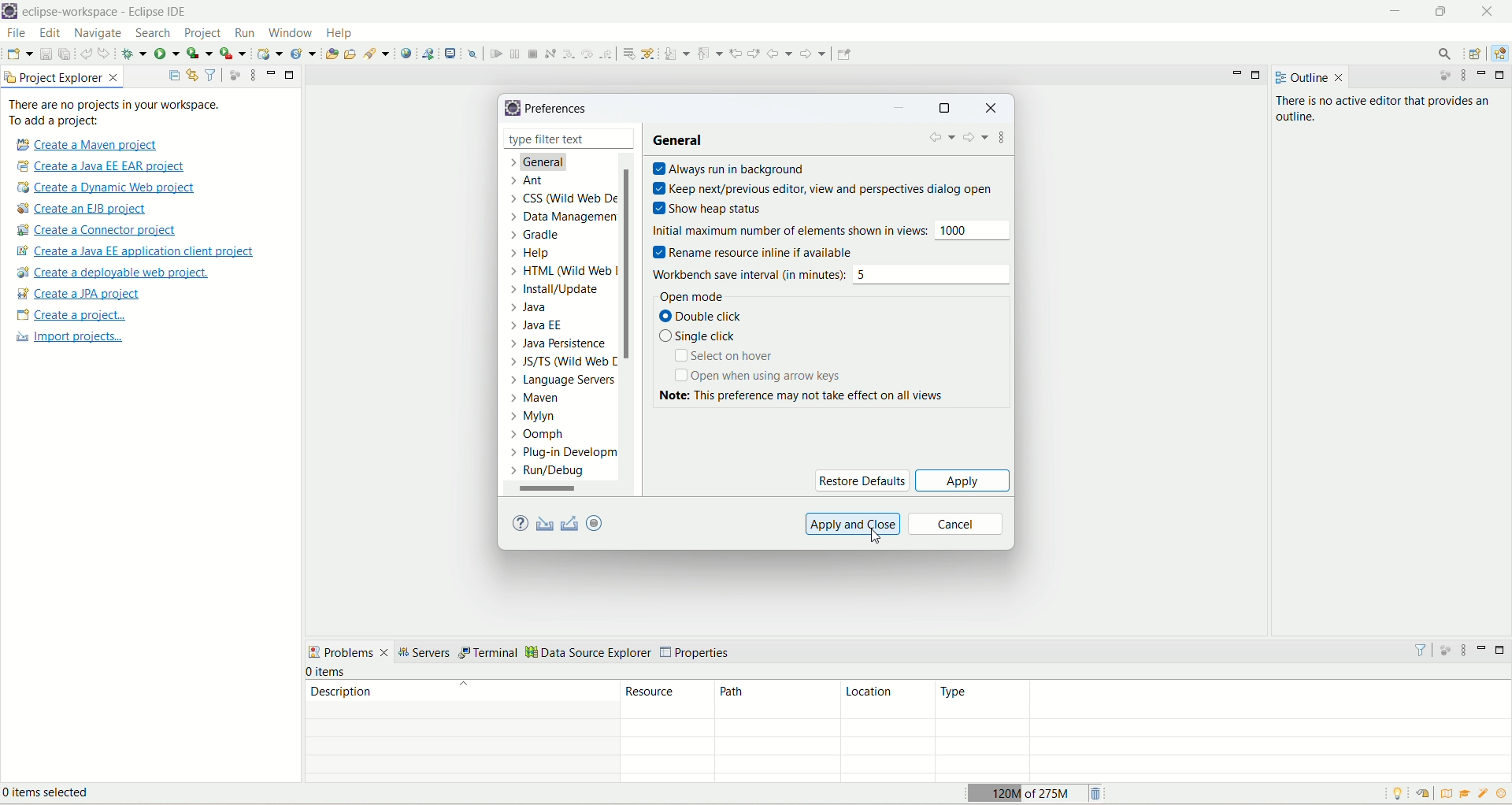 The height and width of the screenshot is (805, 1512). Describe the element at coordinates (568, 219) in the screenshot. I see `data management` at that location.